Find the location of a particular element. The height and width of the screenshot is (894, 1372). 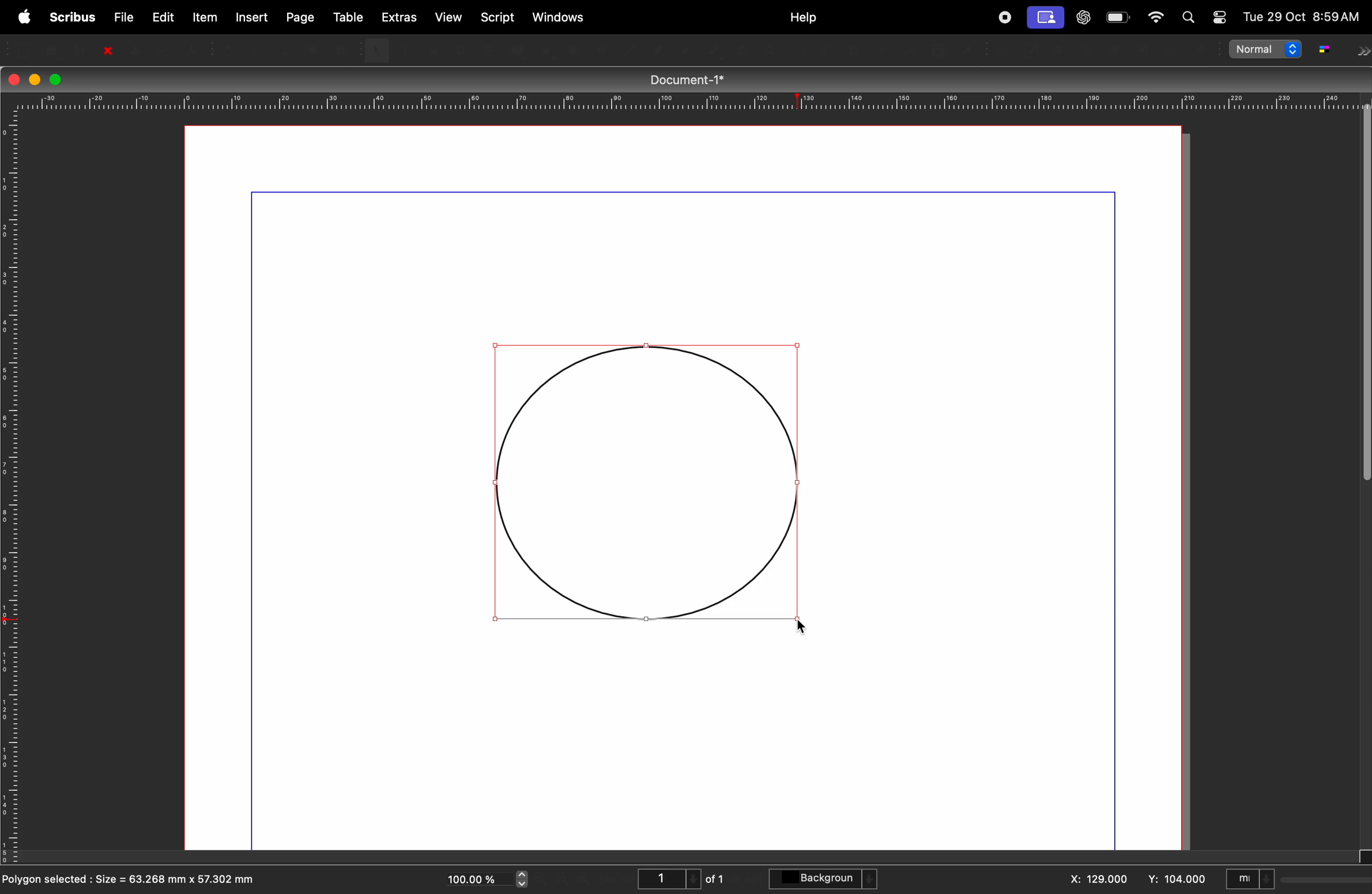

background is located at coordinates (826, 880).